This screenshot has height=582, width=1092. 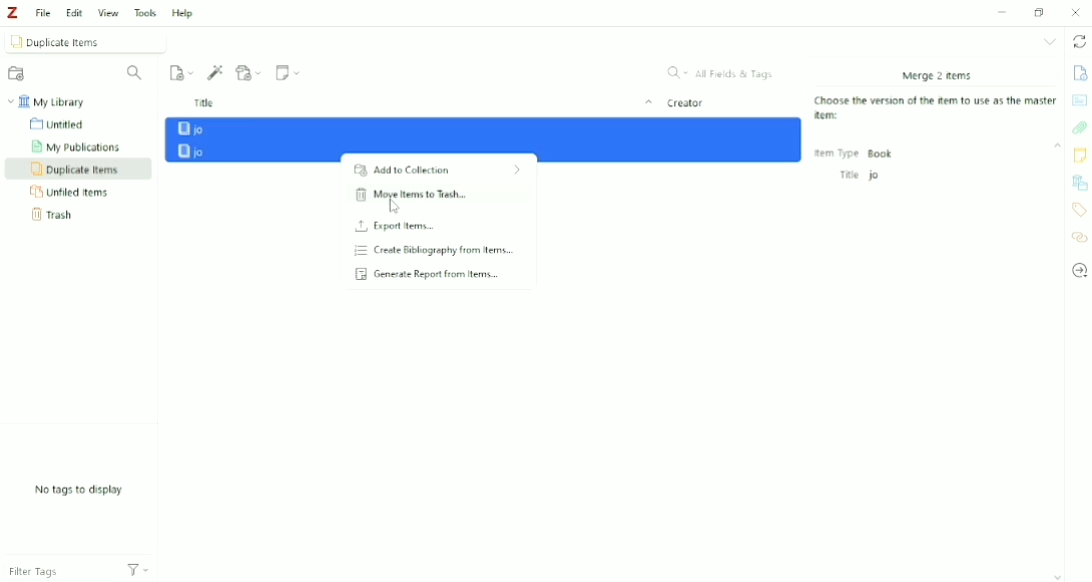 I want to click on Logo, so click(x=14, y=13).